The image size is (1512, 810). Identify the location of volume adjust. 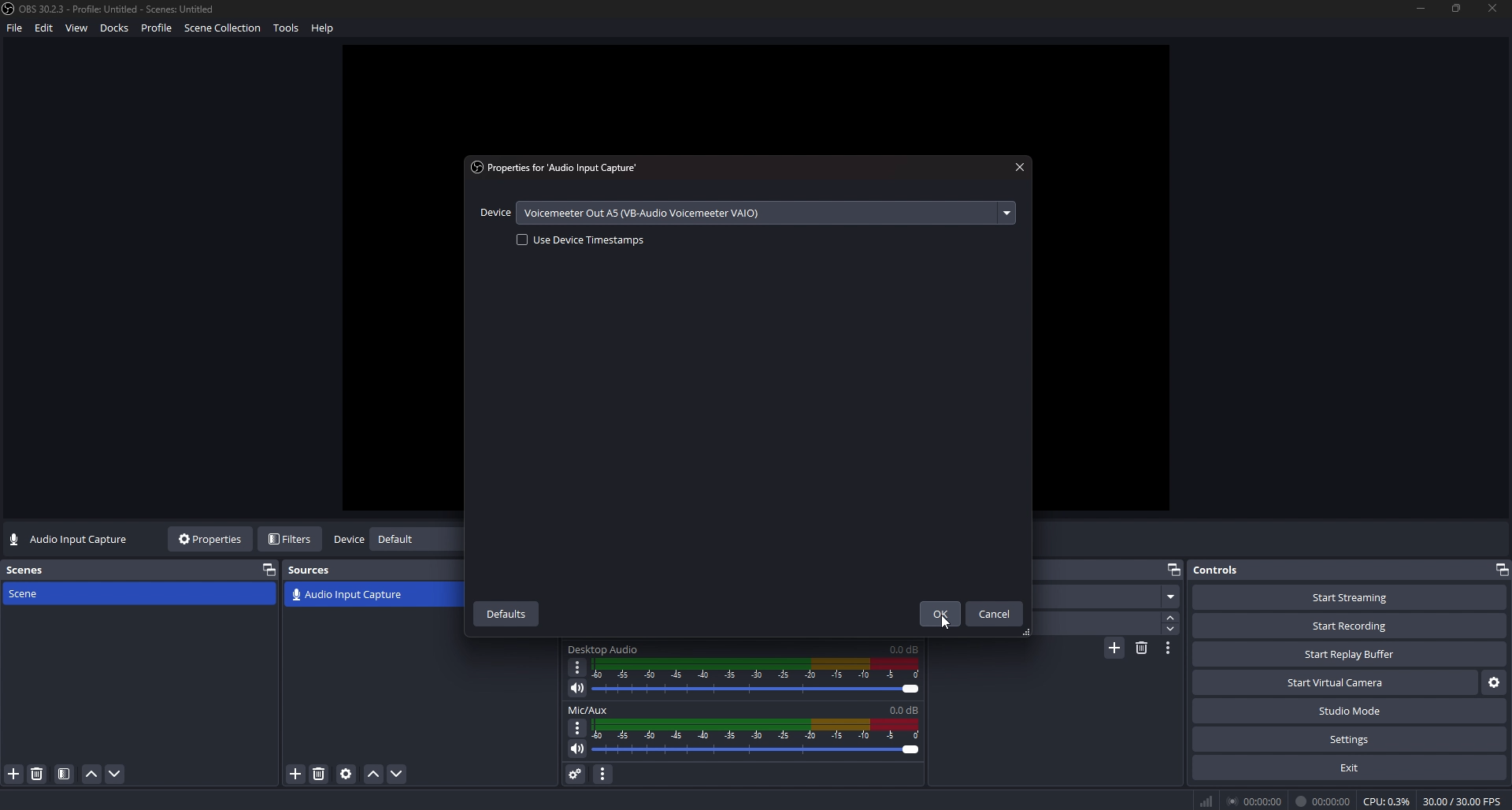
(756, 679).